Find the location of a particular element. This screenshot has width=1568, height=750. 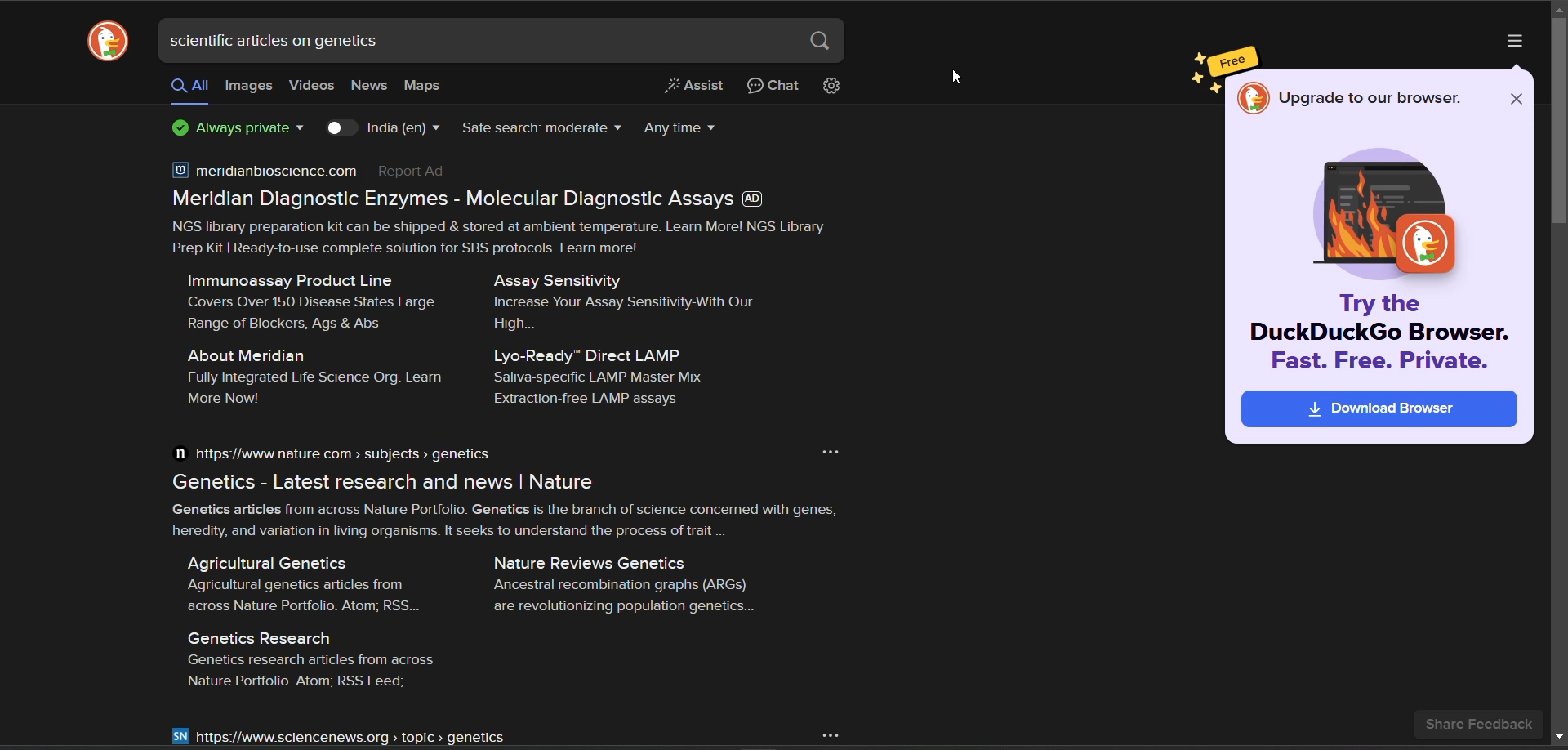

[®] meridianbioscience.com Re A

Meridian Diagnostic Enzymes - Molecular Diagnostic Assays

NGS library preparation kit can be shipped & stored at ambient temperature. Learn More! NGS Library
Prep Kit | Ready-to-use complete solution for SBS protocols. Learn more! is located at coordinates (499, 203).